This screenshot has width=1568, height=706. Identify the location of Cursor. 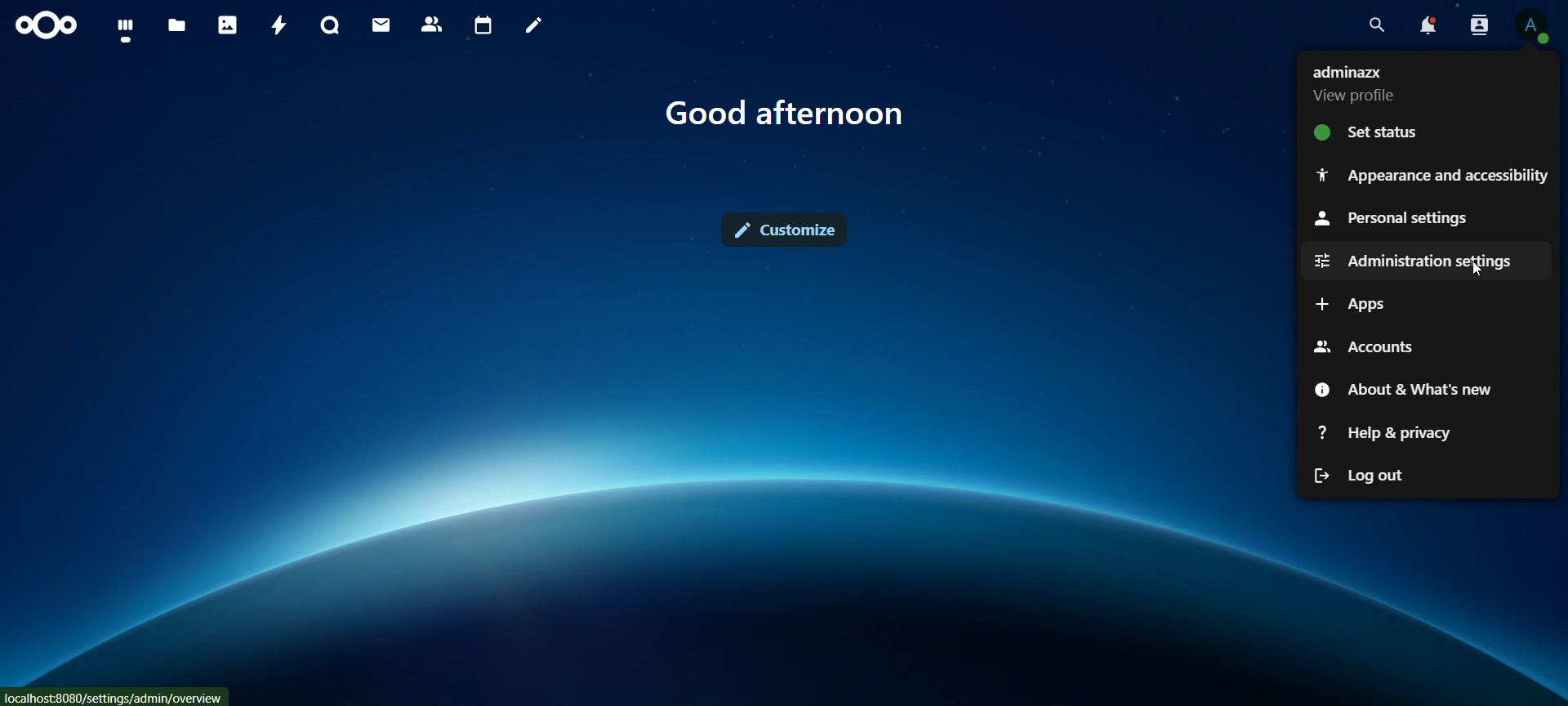
(1484, 270).